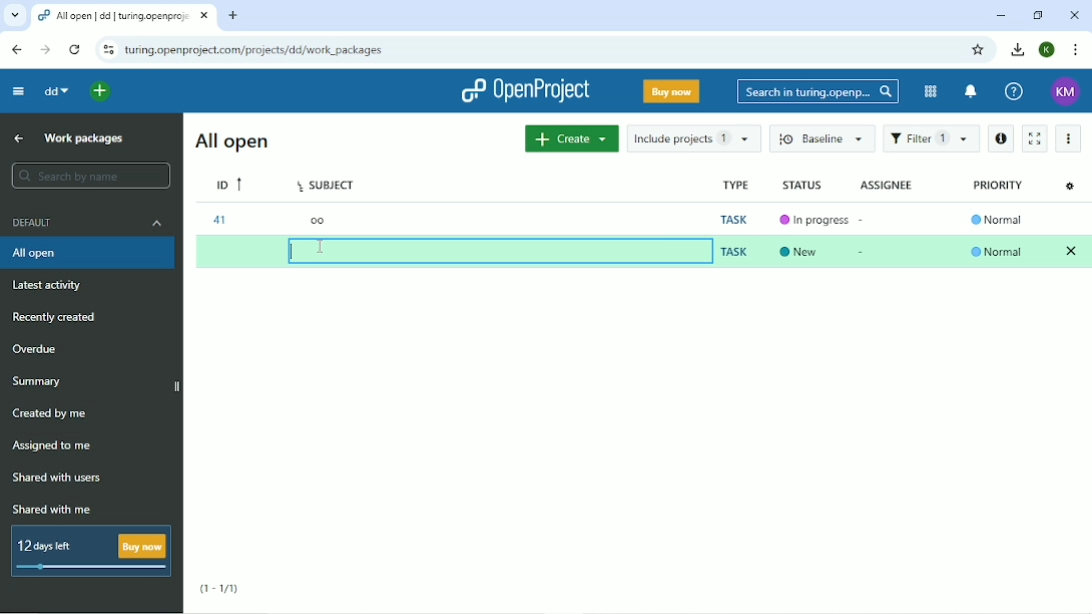  What do you see at coordinates (1036, 139) in the screenshot?
I see `Activate zen mode` at bounding box center [1036, 139].